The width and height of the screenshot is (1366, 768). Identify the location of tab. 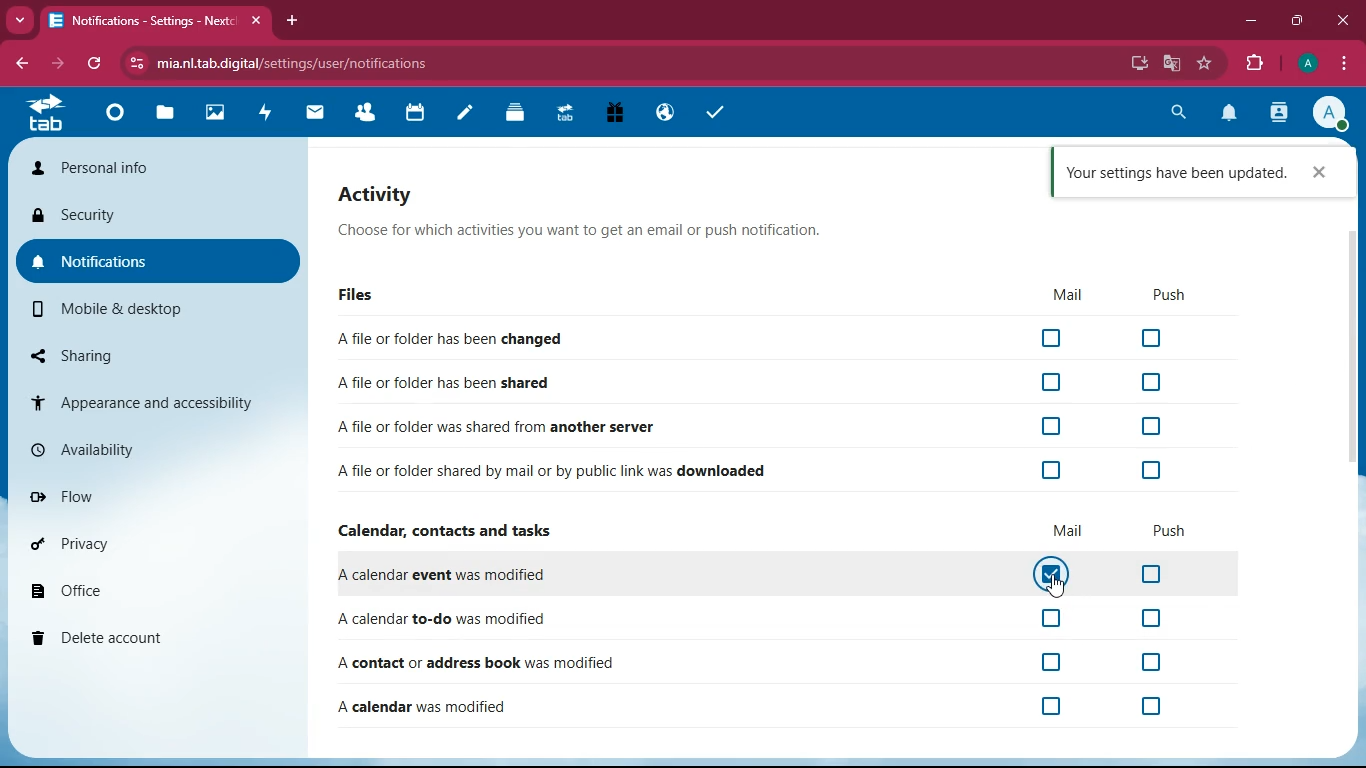
(50, 114).